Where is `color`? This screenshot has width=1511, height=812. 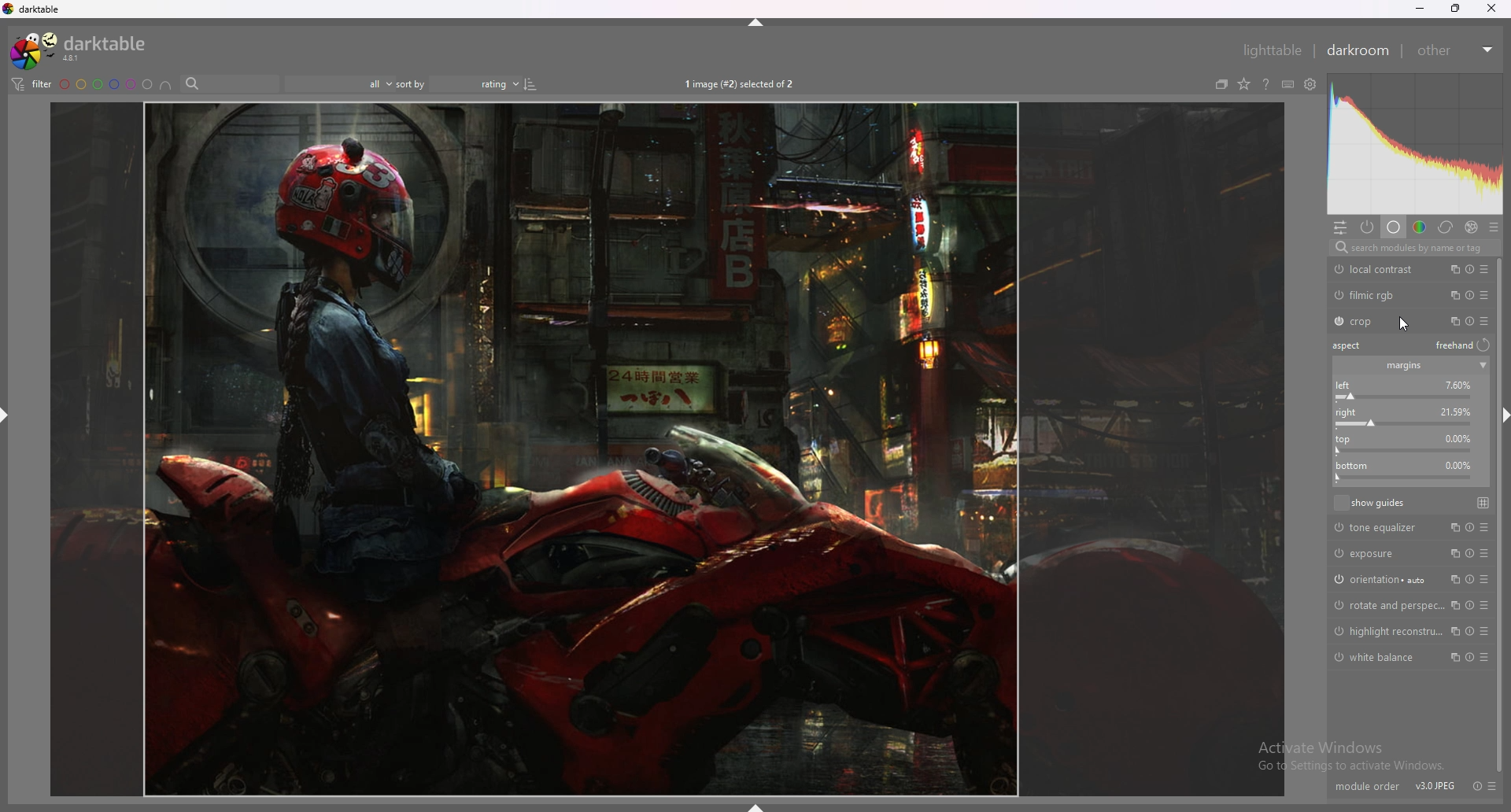 color is located at coordinates (1420, 227).